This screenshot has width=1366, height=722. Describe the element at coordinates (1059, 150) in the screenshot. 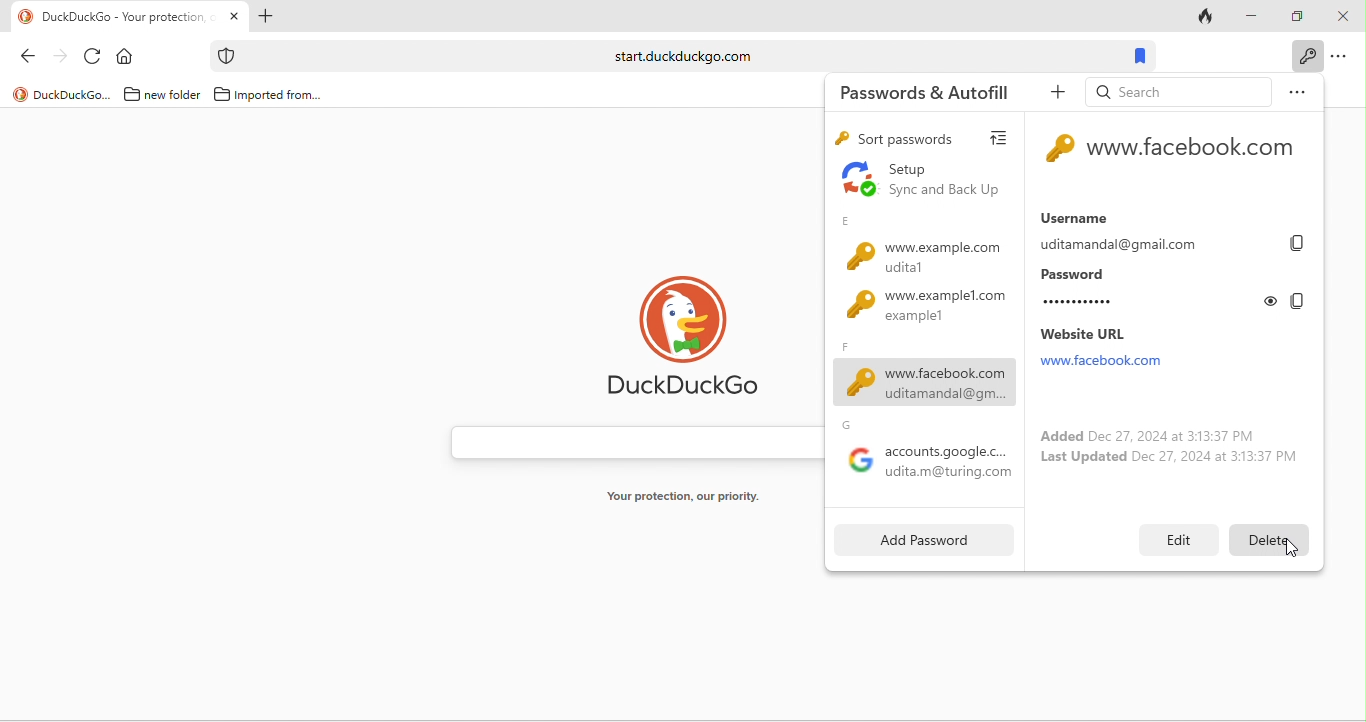

I see `key icon` at that location.